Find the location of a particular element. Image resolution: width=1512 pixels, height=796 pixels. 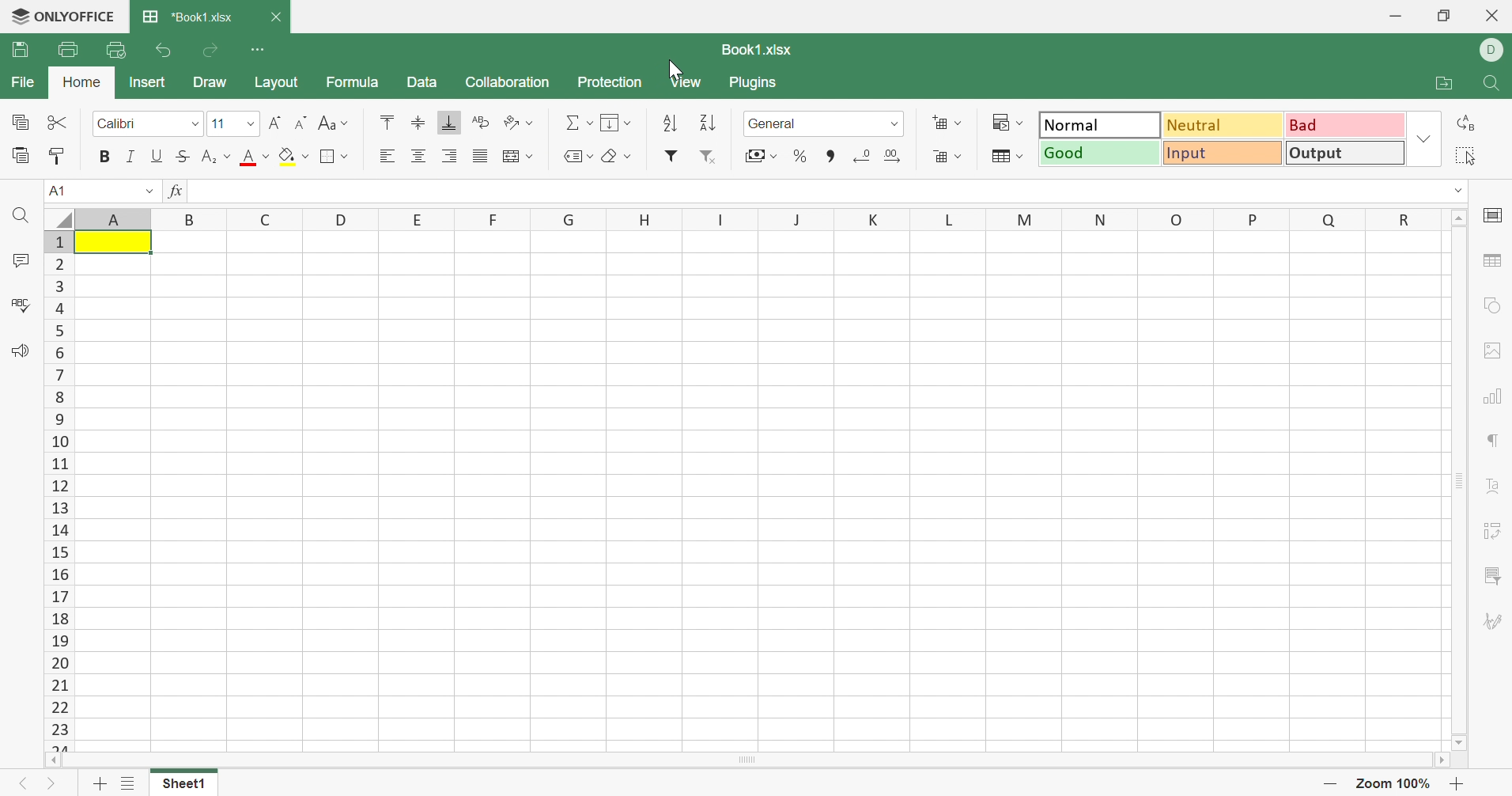

Font color is located at coordinates (253, 157).